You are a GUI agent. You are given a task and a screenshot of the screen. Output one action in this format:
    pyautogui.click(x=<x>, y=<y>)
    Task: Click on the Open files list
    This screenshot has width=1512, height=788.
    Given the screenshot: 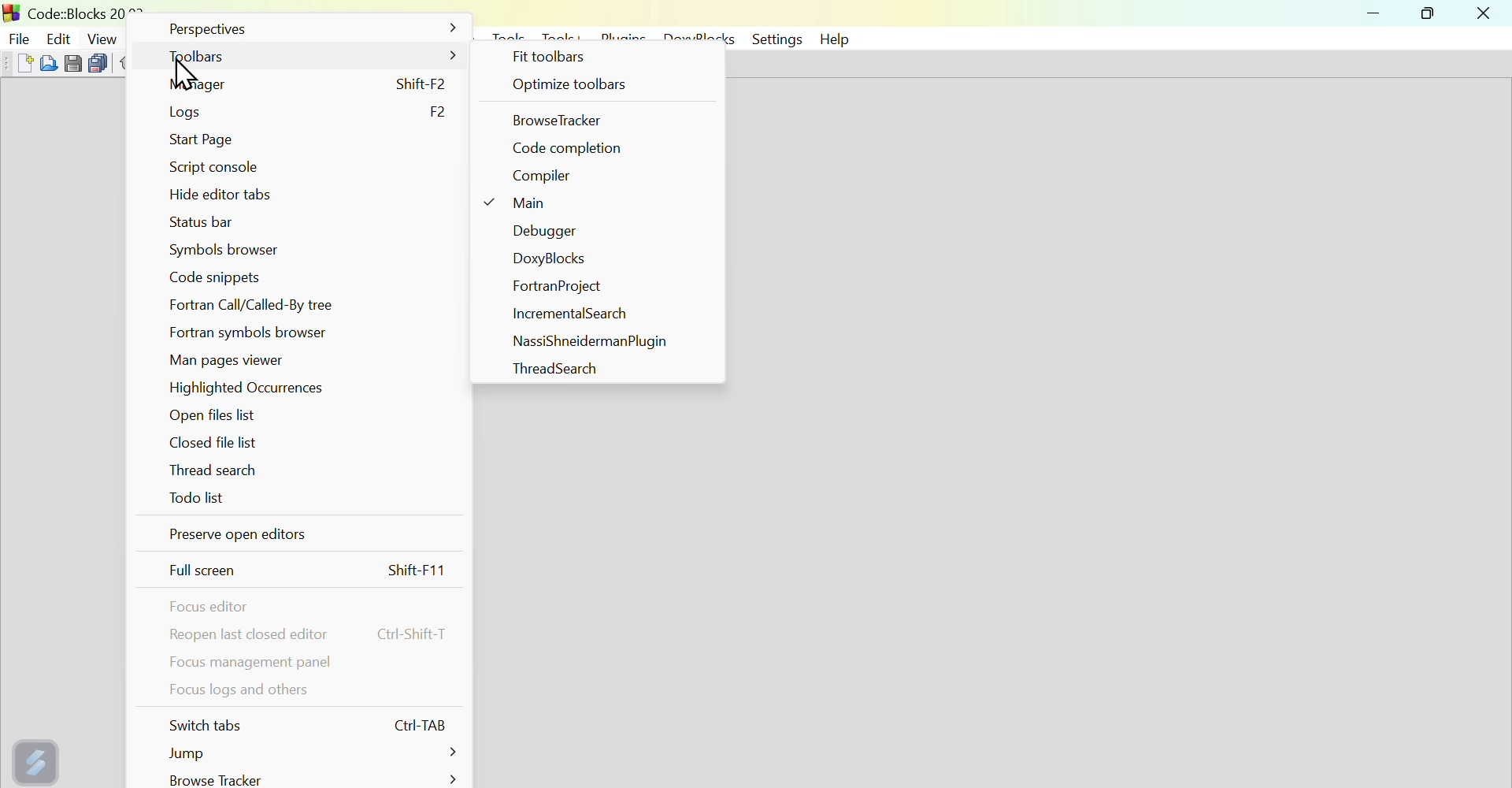 What is the action you would take?
    pyautogui.click(x=216, y=417)
    